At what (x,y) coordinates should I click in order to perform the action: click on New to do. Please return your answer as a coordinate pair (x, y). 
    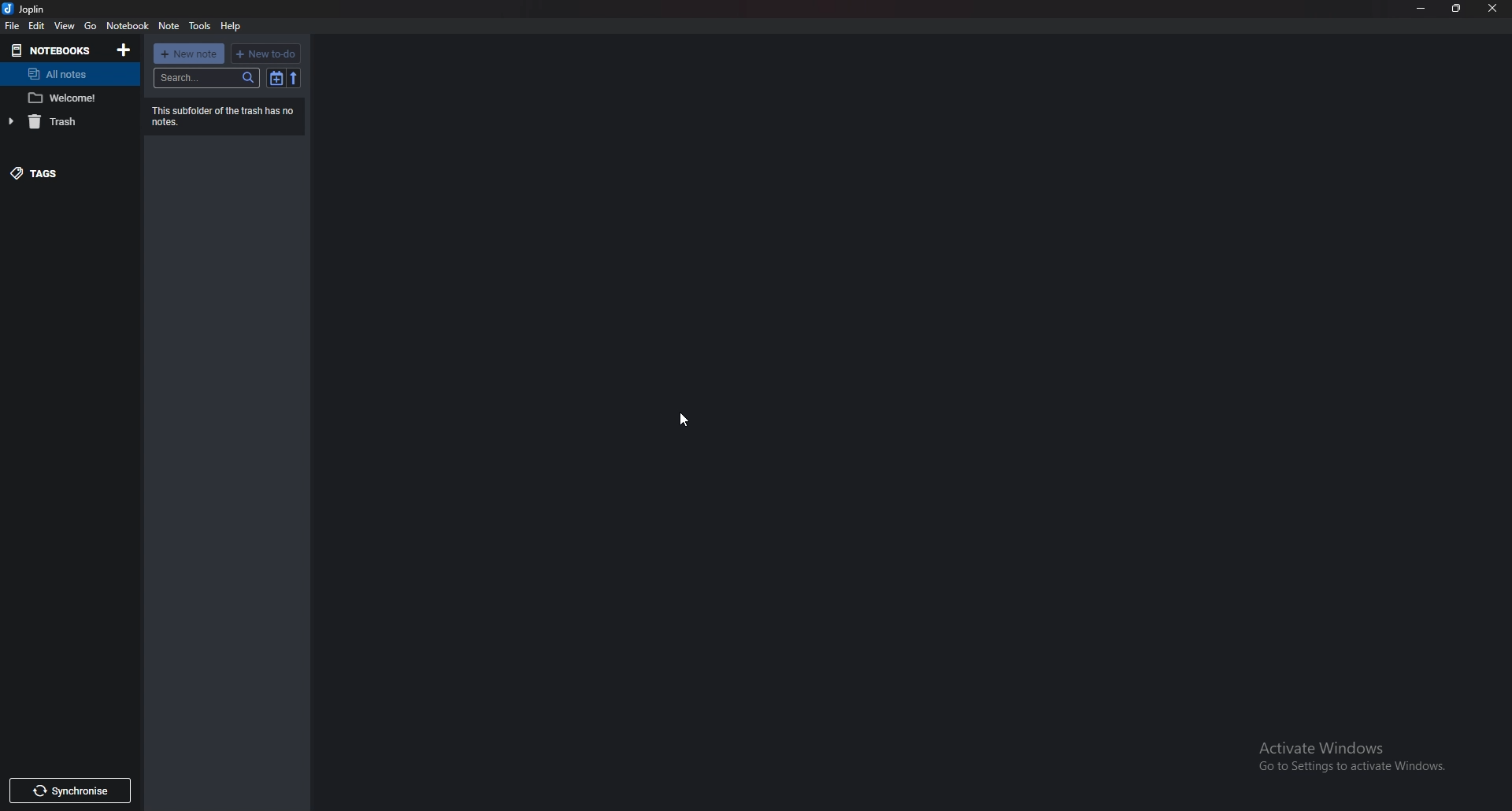
    Looking at the image, I should click on (266, 54).